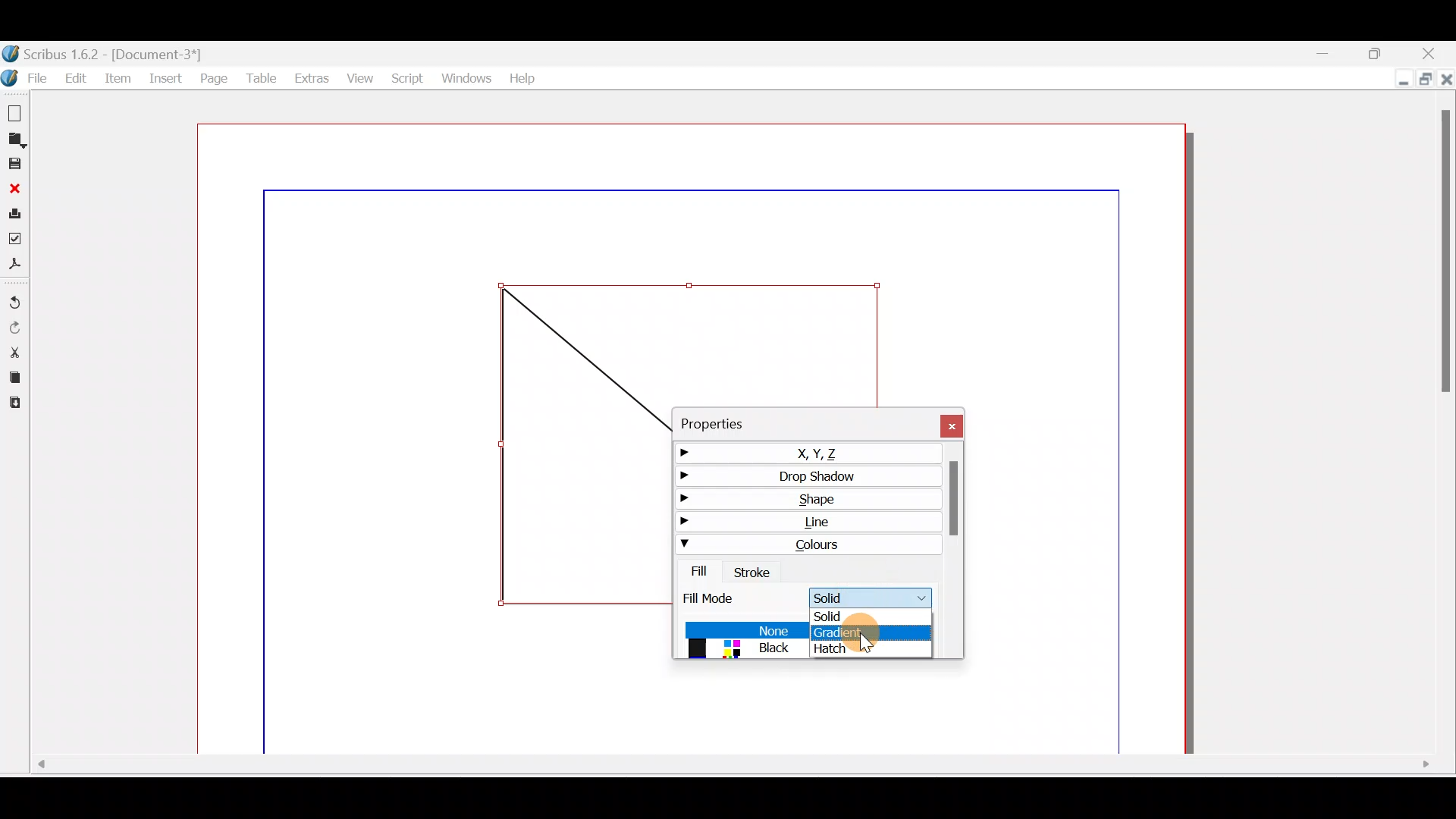 This screenshot has width=1456, height=819. I want to click on Copy, so click(14, 375).